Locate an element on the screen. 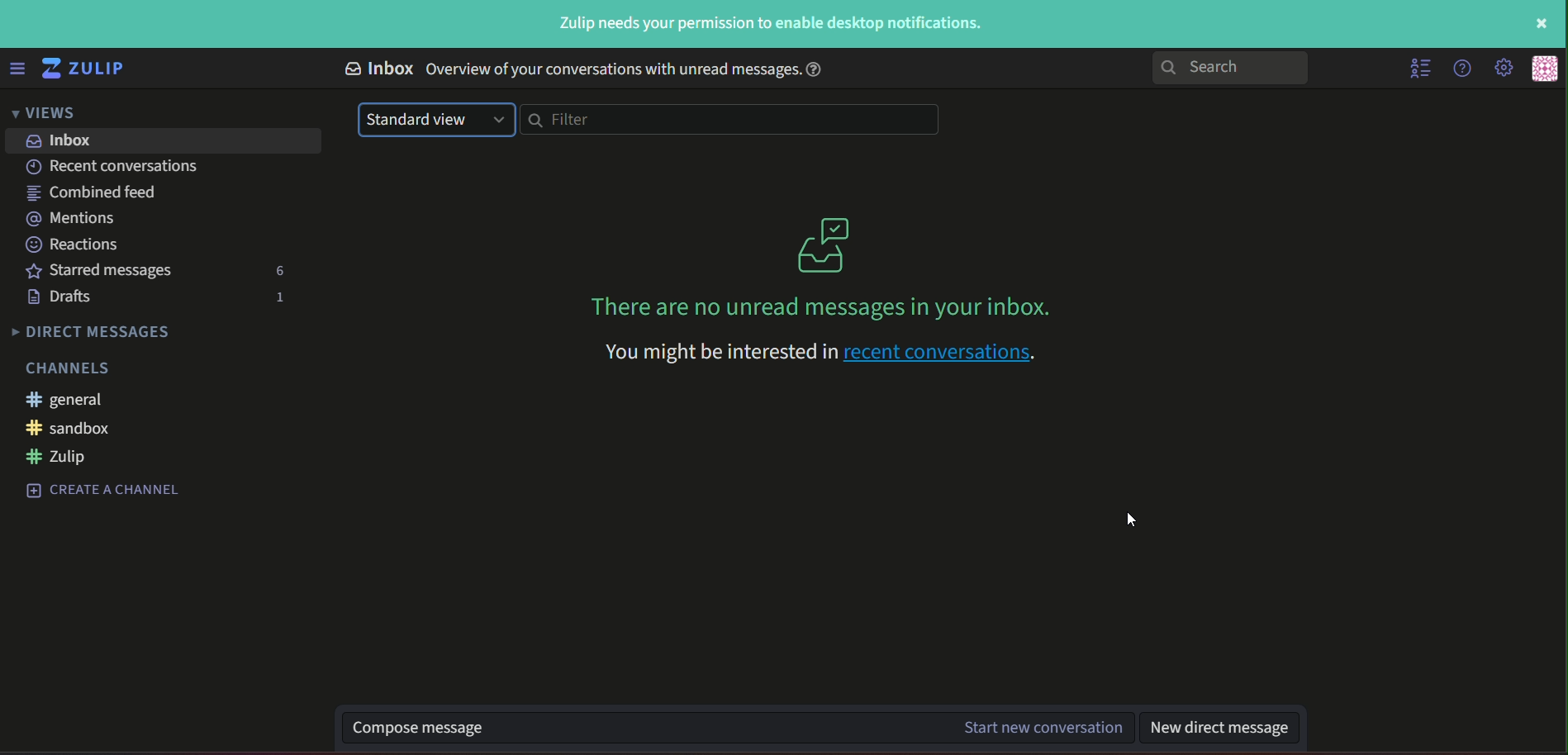 The image size is (1568, 755). filterbar is located at coordinates (733, 121).